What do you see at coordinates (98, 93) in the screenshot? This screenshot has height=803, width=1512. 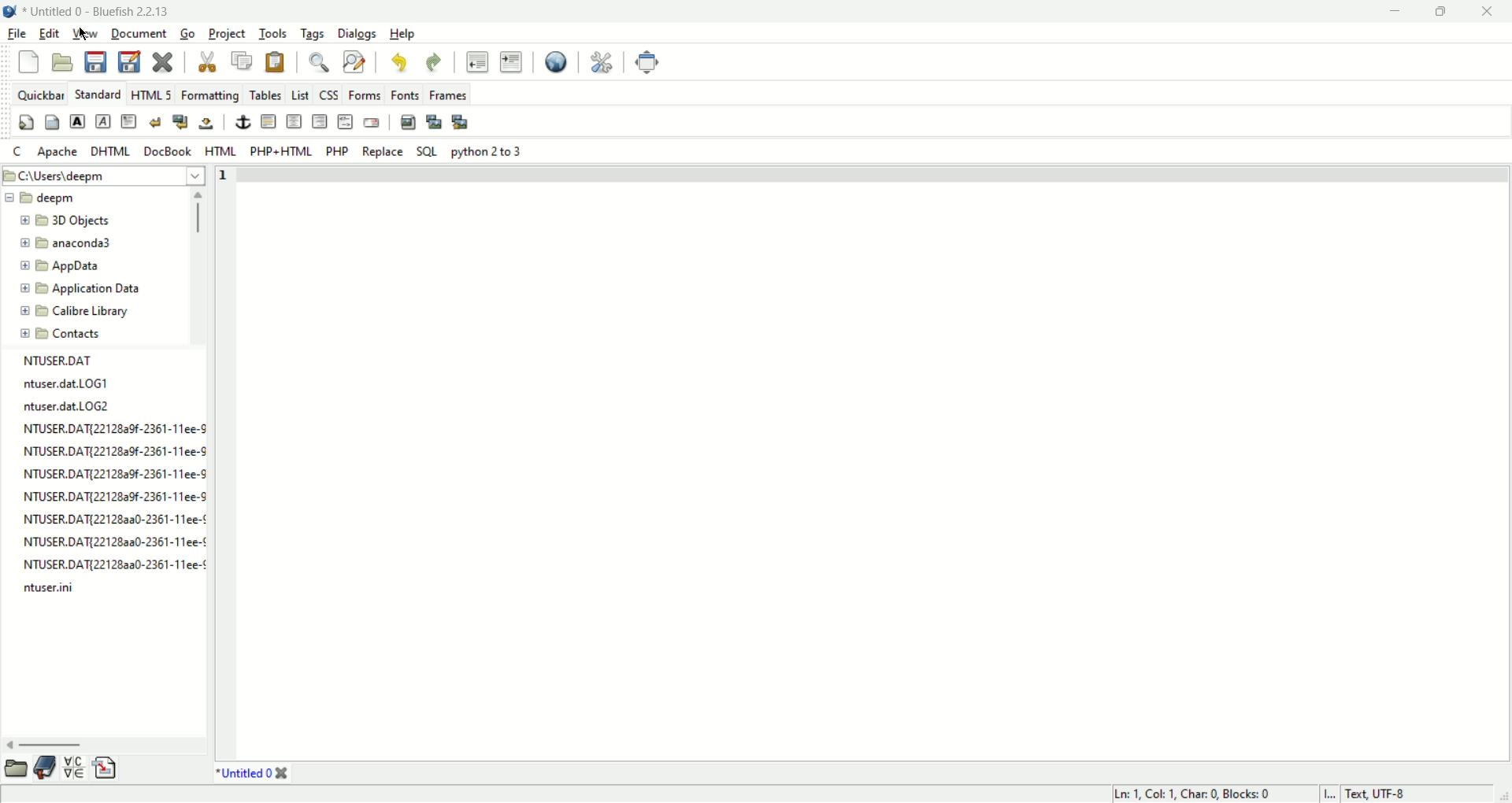 I see `STANDARD` at bounding box center [98, 93].